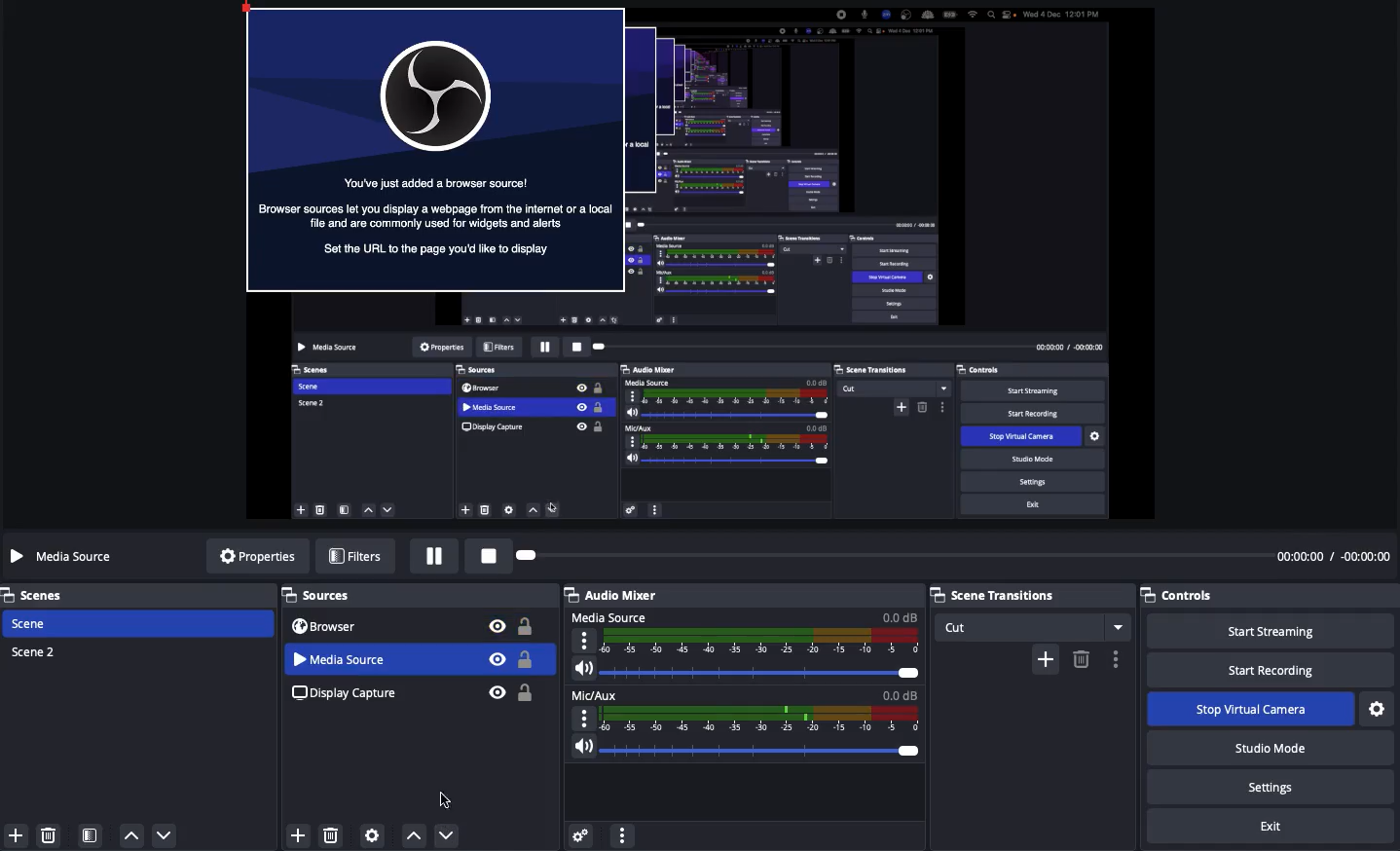 Image resolution: width=1400 pixels, height=851 pixels. I want to click on Audio mixer, so click(742, 595).